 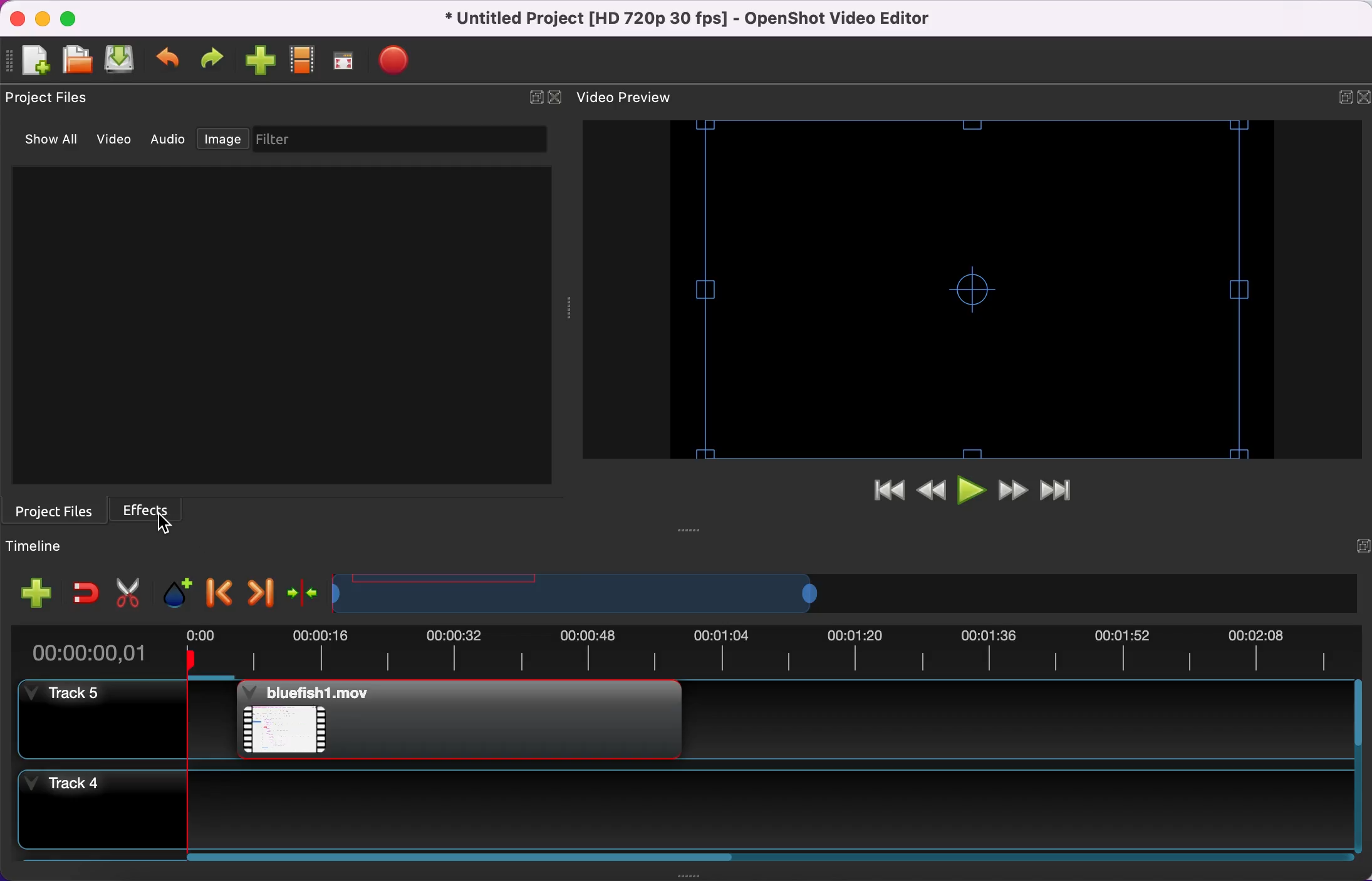 I want to click on Cursor, so click(x=168, y=528).